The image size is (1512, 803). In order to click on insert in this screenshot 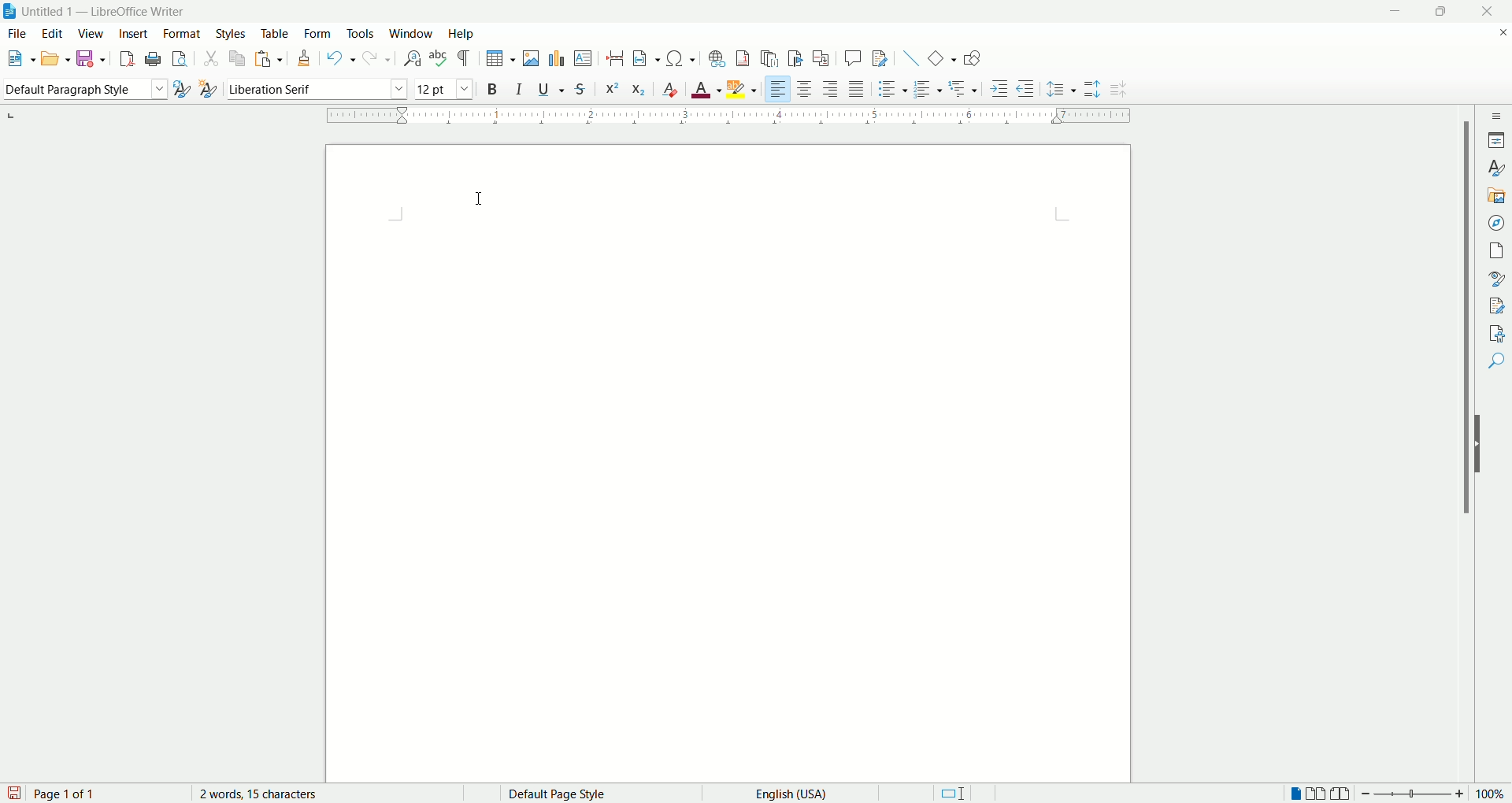, I will do `click(133, 33)`.